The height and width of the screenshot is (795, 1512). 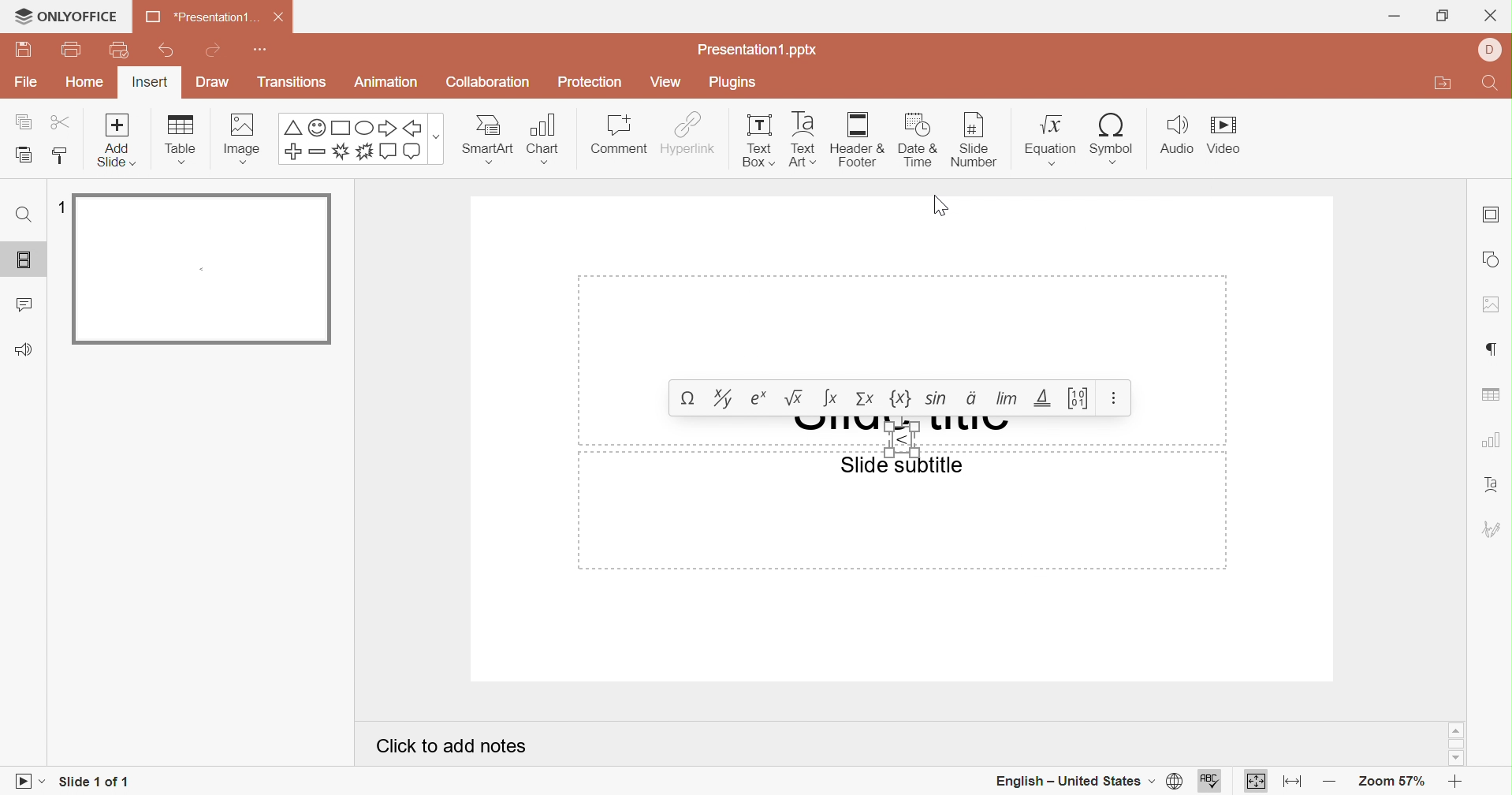 I want to click on English - United States, so click(x=1075, y=780).